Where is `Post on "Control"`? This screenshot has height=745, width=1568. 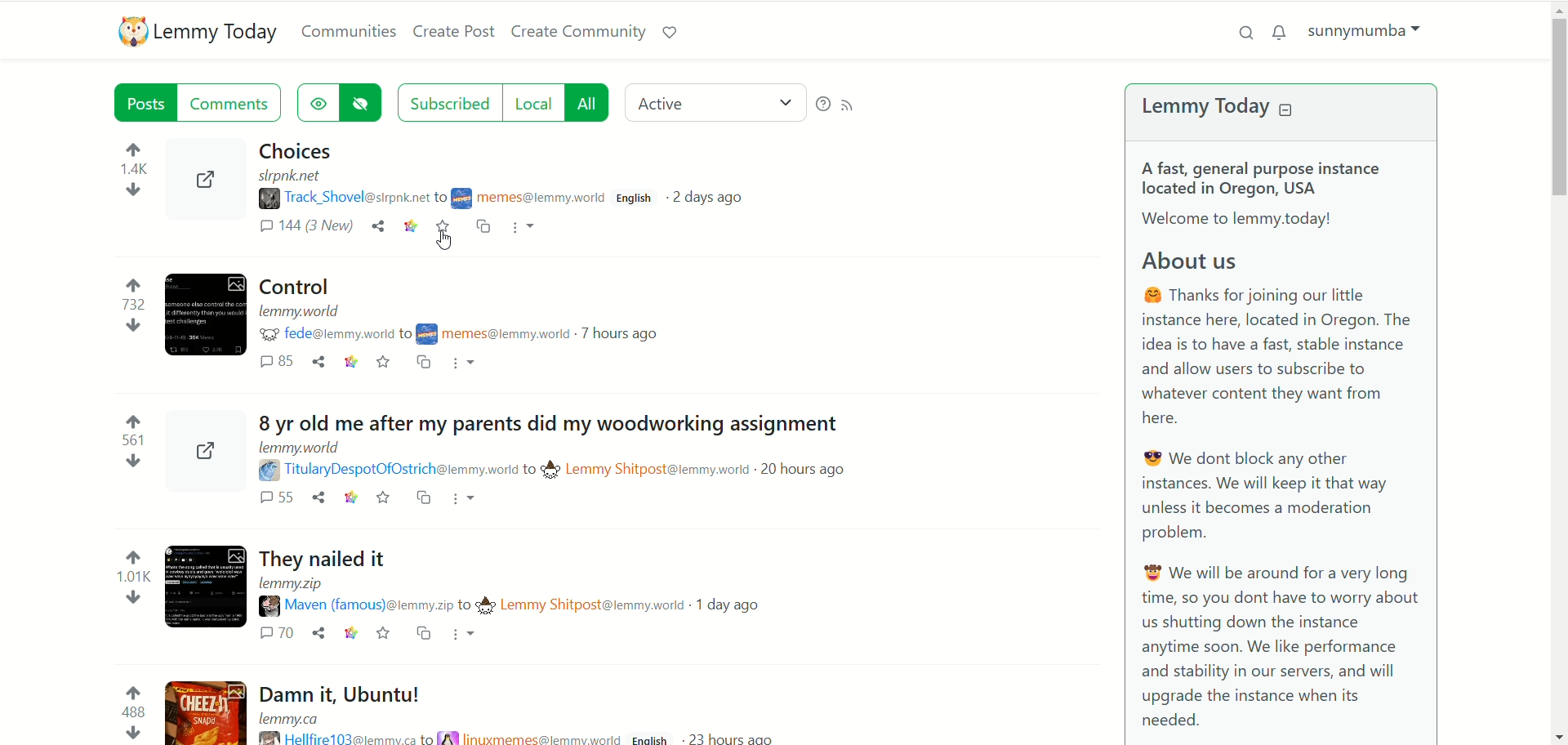
Post on "Control" is located at coordinates (369, 305).